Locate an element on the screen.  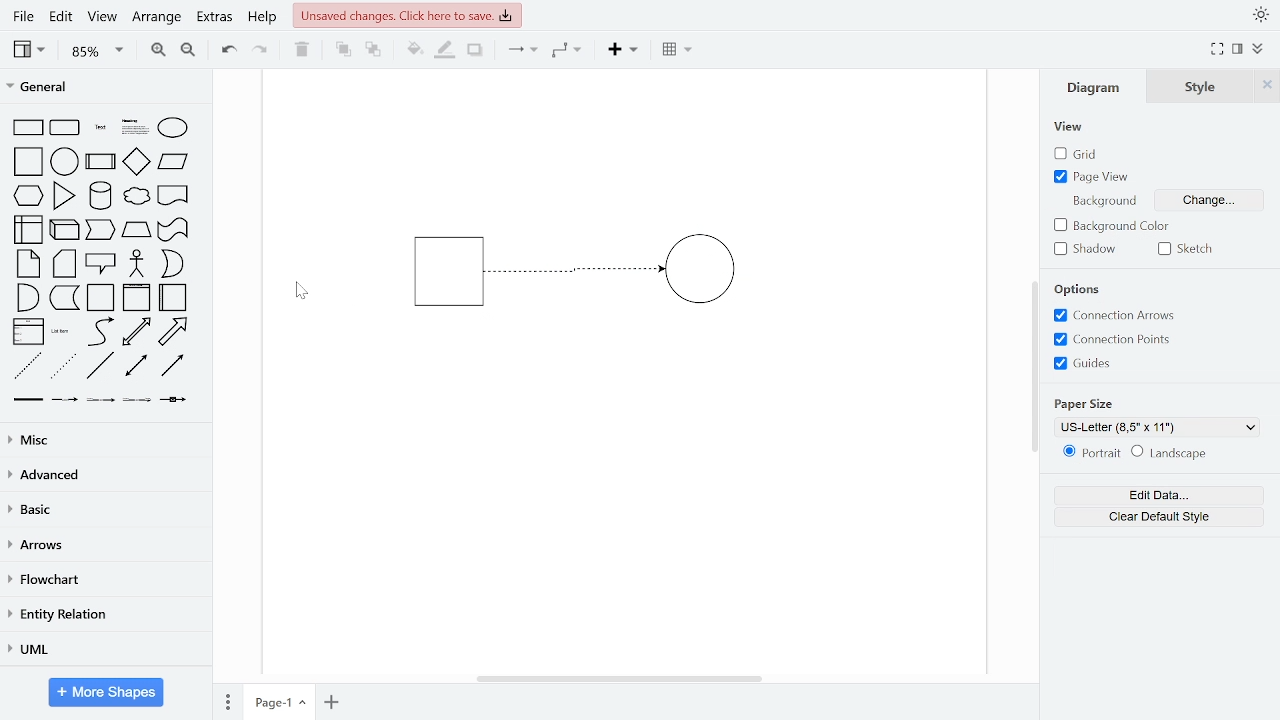
guides is located at coordinates (1084, 364).